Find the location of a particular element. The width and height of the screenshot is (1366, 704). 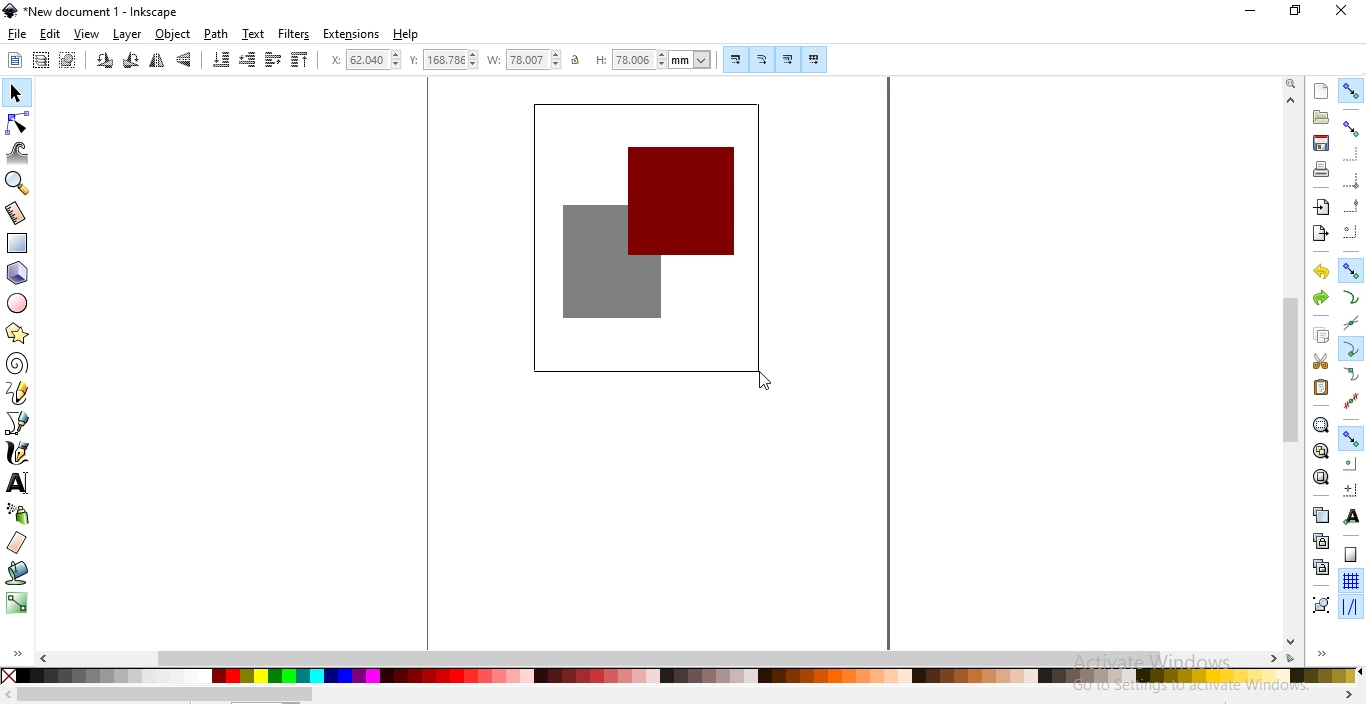

zoom in or out is located at coordinates (15, 183).